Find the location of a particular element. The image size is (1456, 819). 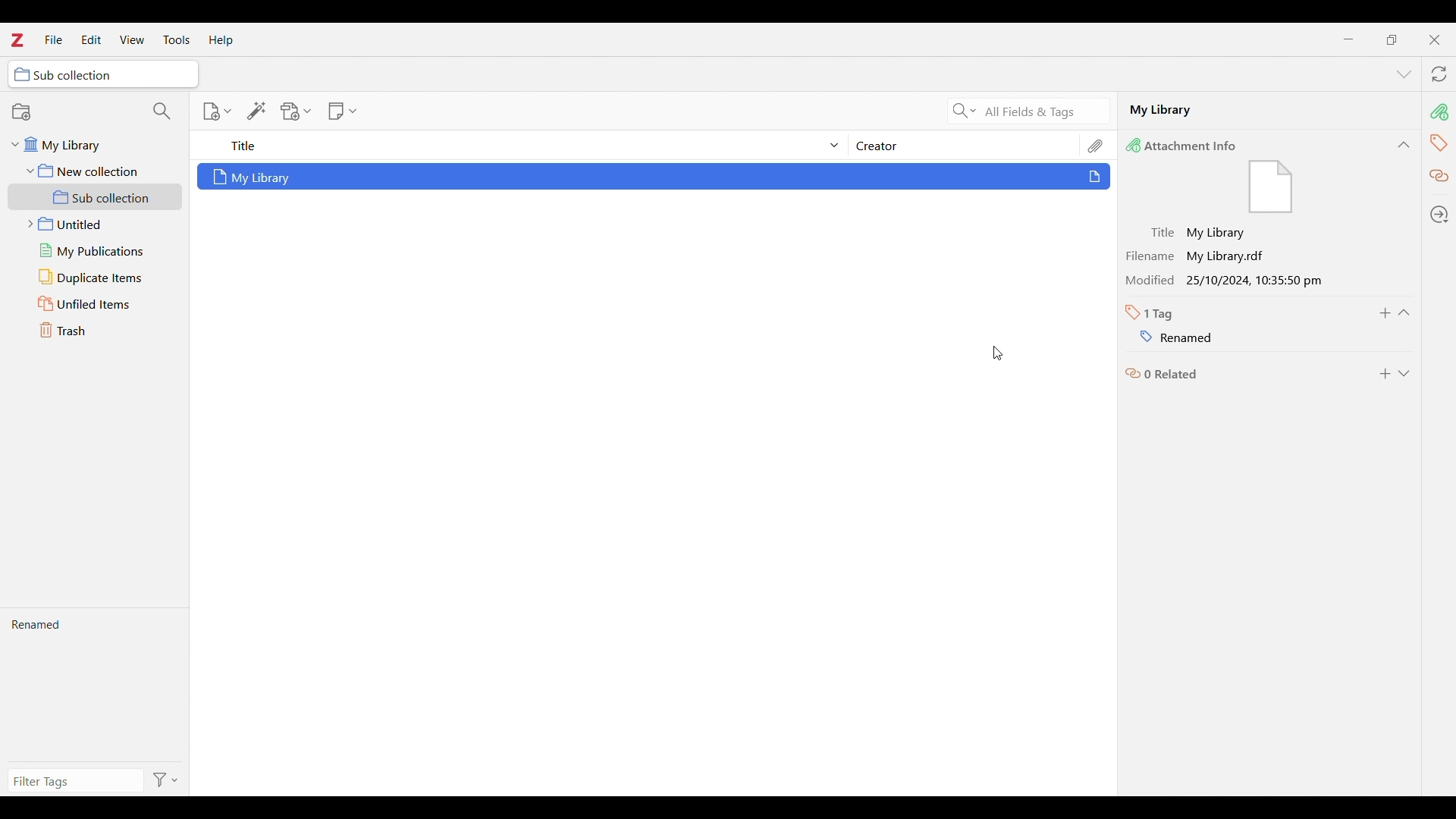

Tools menu is located at coordinates (177, 39).